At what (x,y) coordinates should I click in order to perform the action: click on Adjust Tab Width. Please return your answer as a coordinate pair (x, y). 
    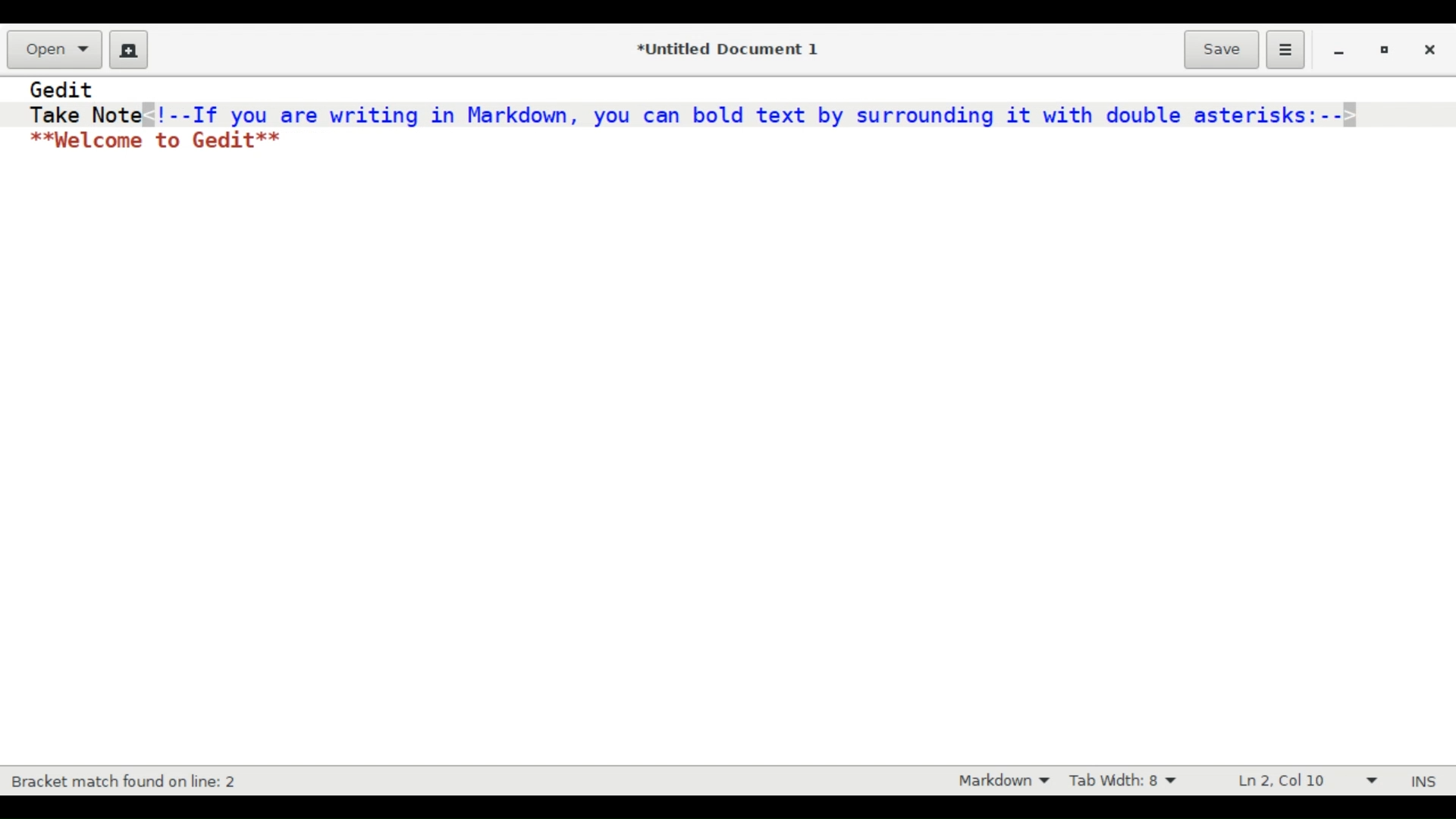
    Looking at the image, I should click on (1134, 780).